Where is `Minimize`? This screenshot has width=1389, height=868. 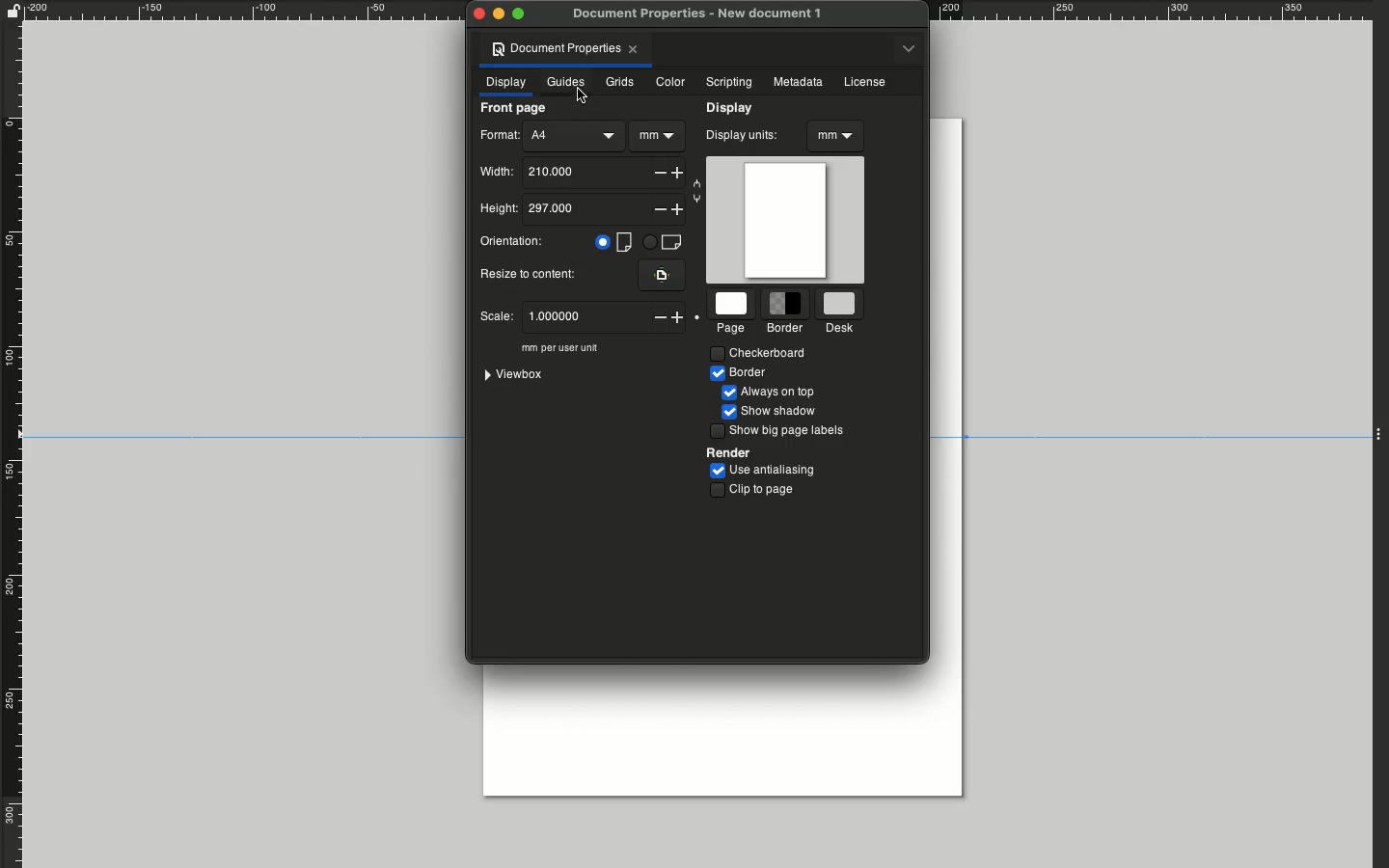 Minimize is located at coordinates (500, 14).